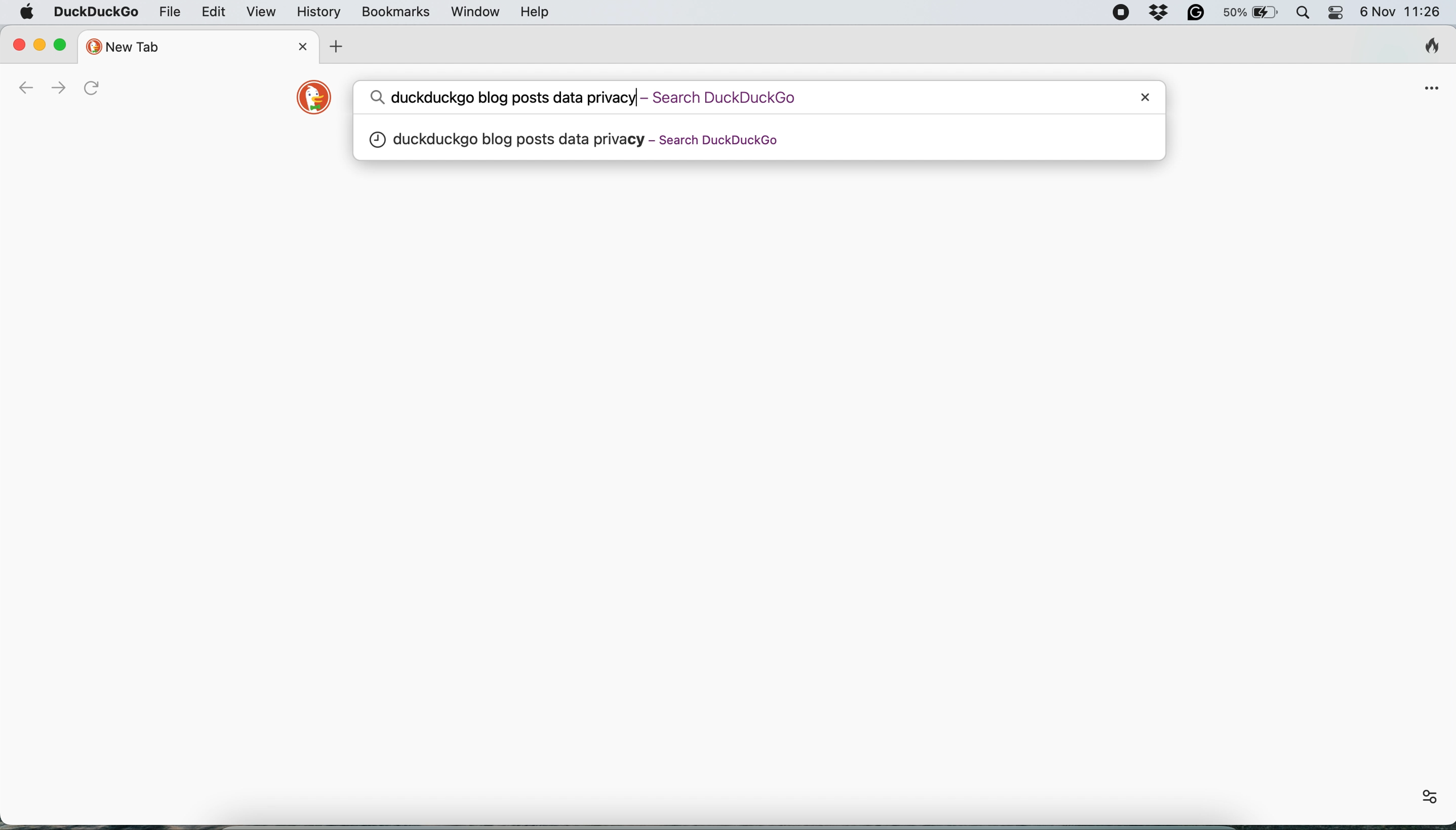 The height and width of the screenshot is (830, 1456). I want to click on grammarly, so click(1190, 14).